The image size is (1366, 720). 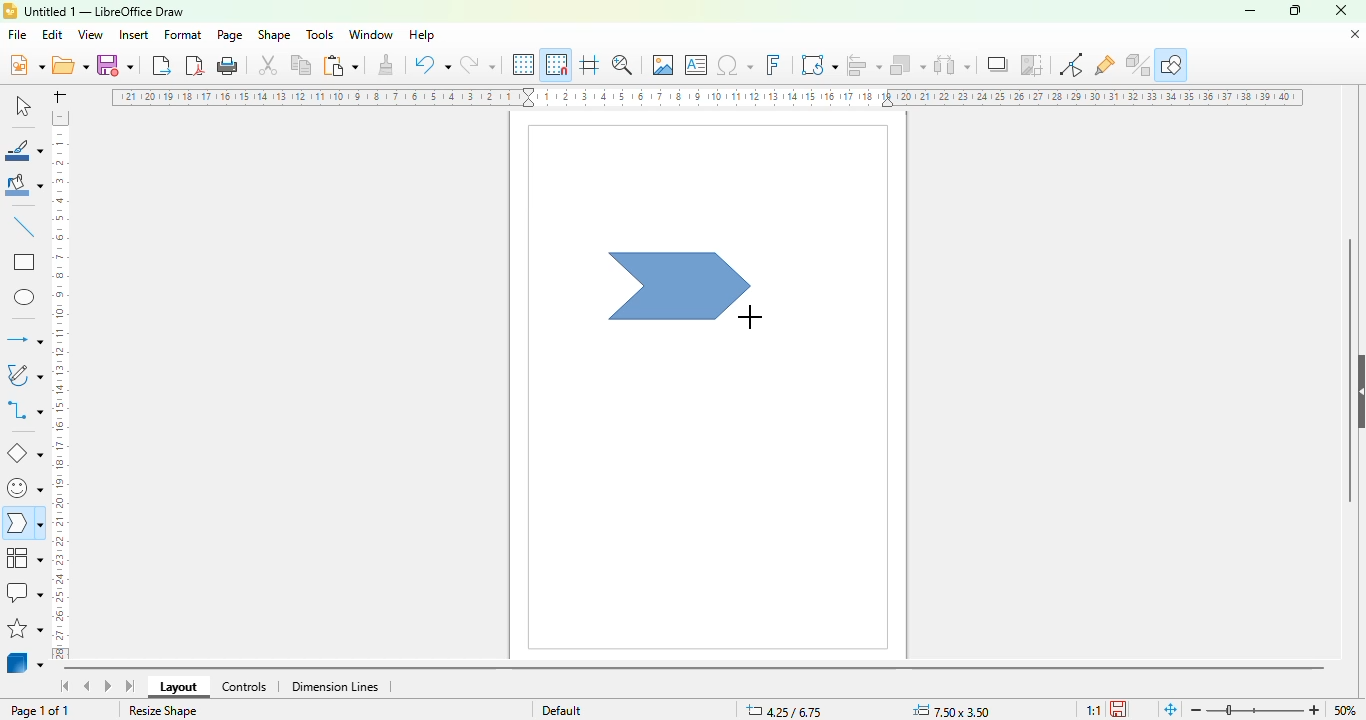 What do you see at coordinates (17, 34) in the screenshot?
I see `file` at bounding box center [17, 34].